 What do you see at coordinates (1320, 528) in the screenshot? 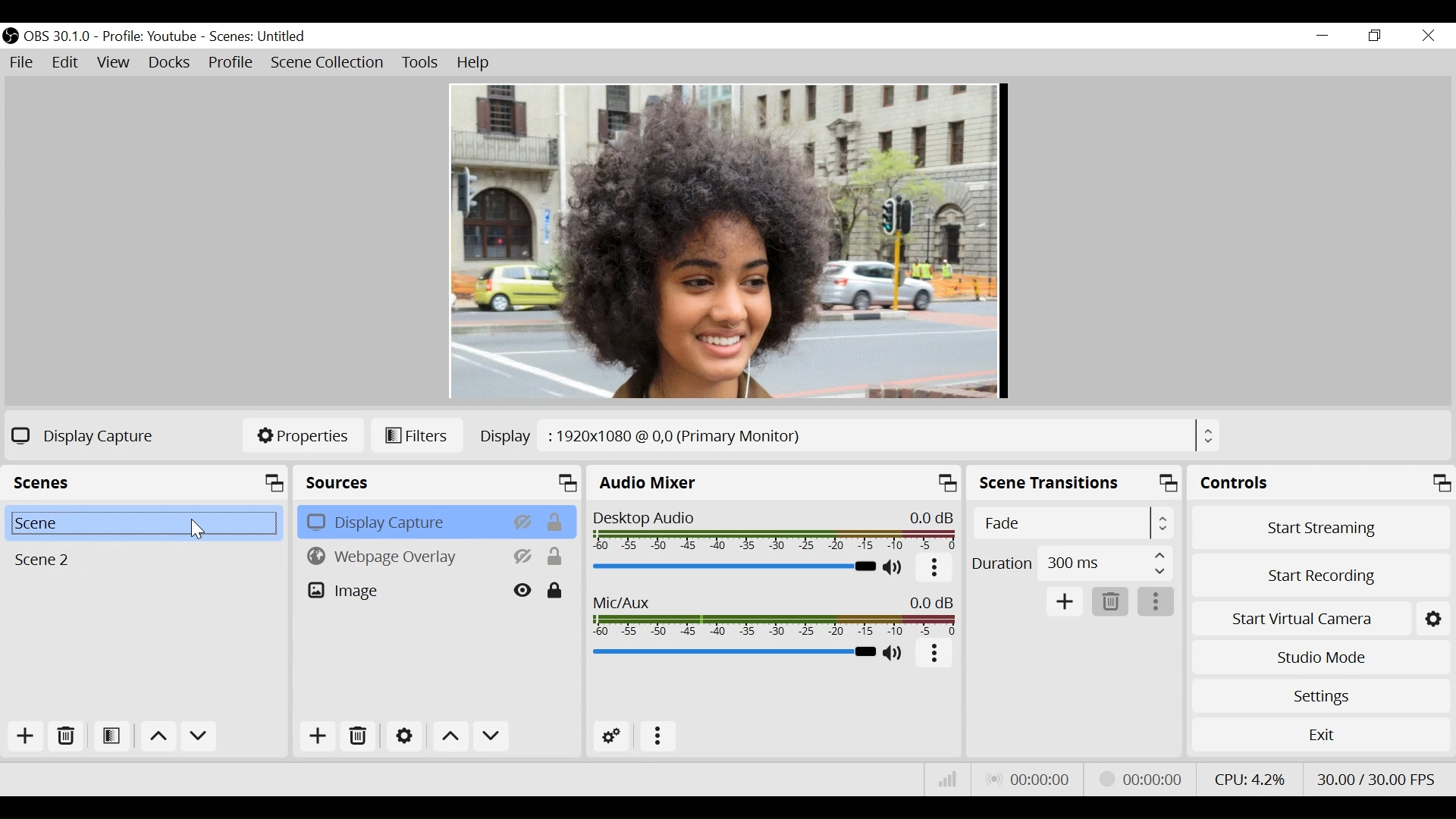
I see `Start Streaming` at bounding box center [1320, 528].